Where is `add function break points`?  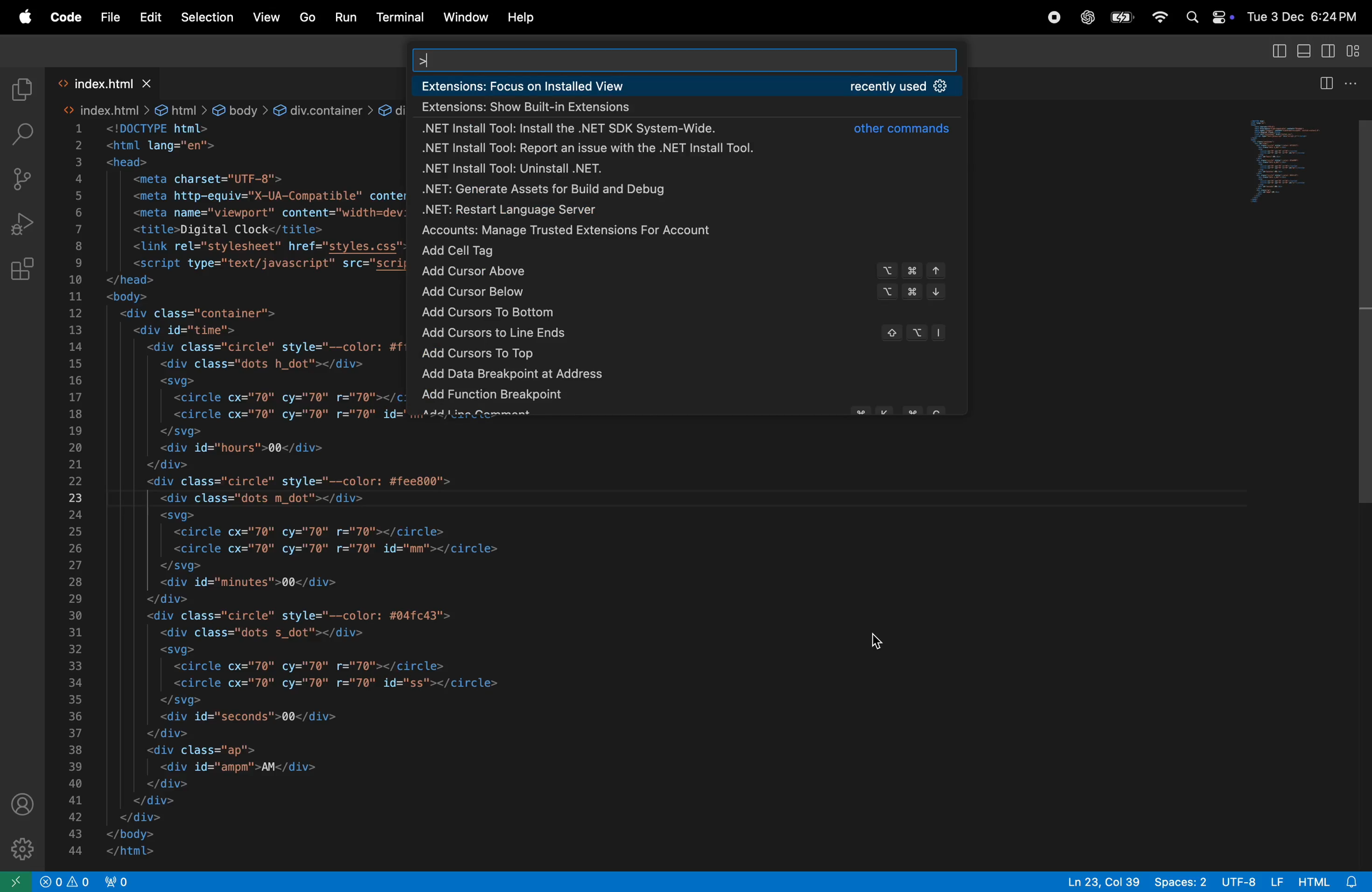
add function break points is located at coordinates (685, 396).